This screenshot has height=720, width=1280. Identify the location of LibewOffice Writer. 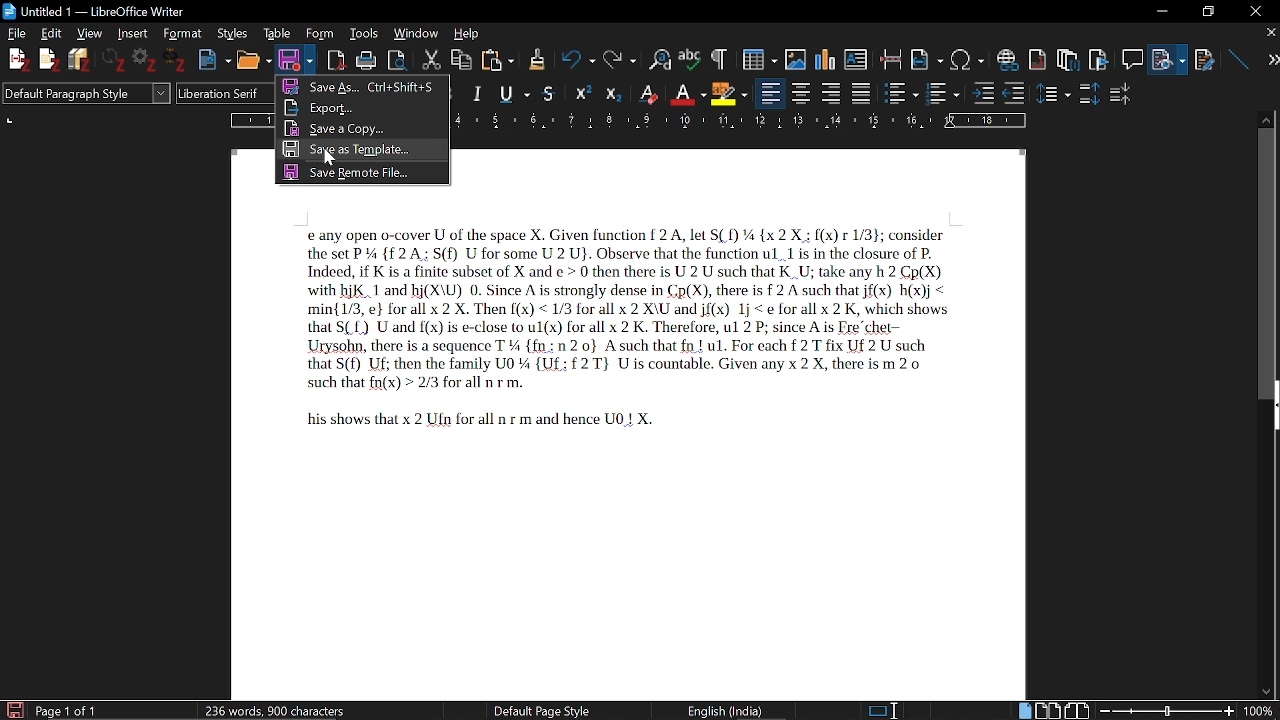
(9, 10).